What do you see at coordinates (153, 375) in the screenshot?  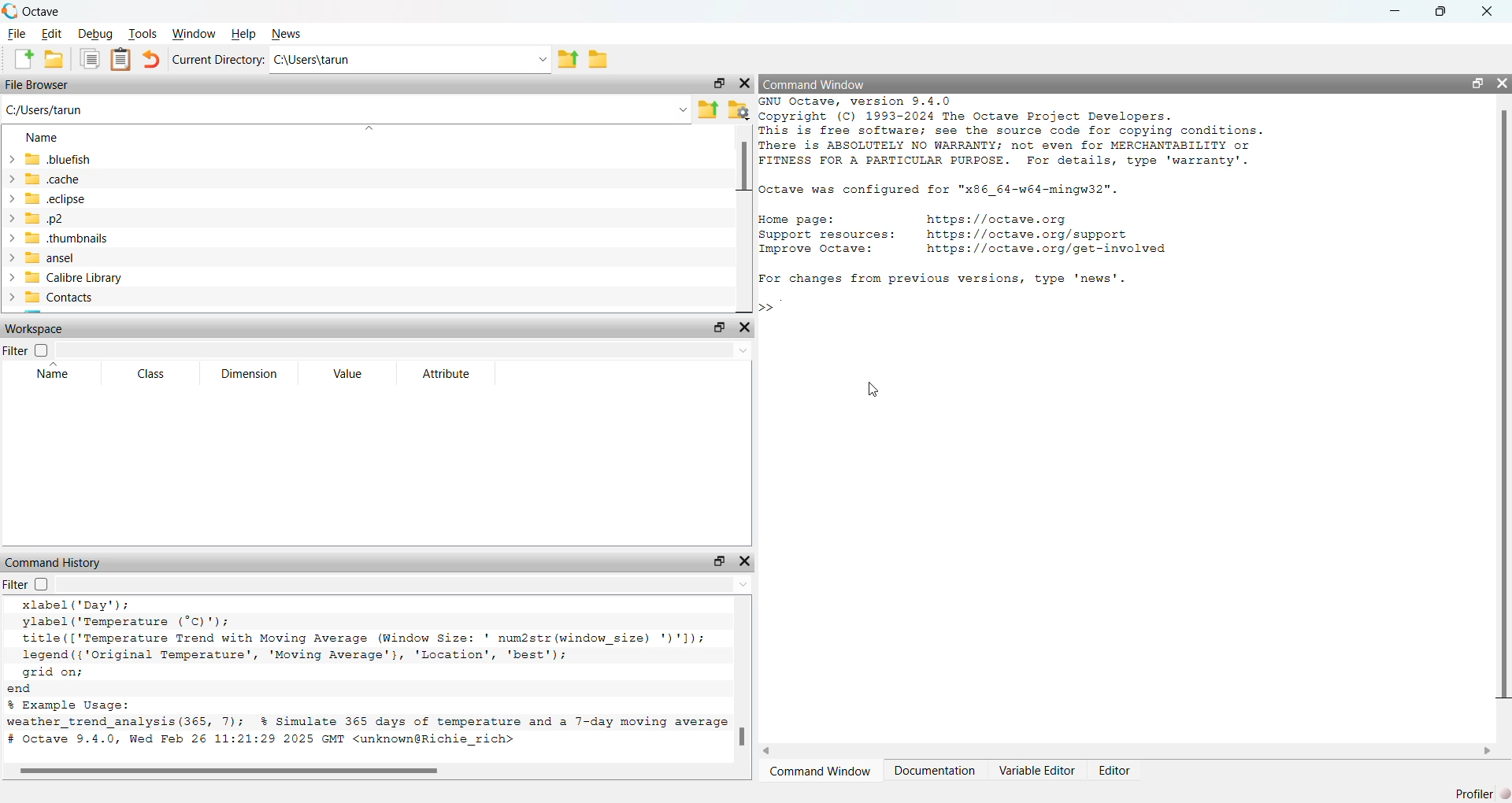 I see `Class` at bounding box center [153, 375].